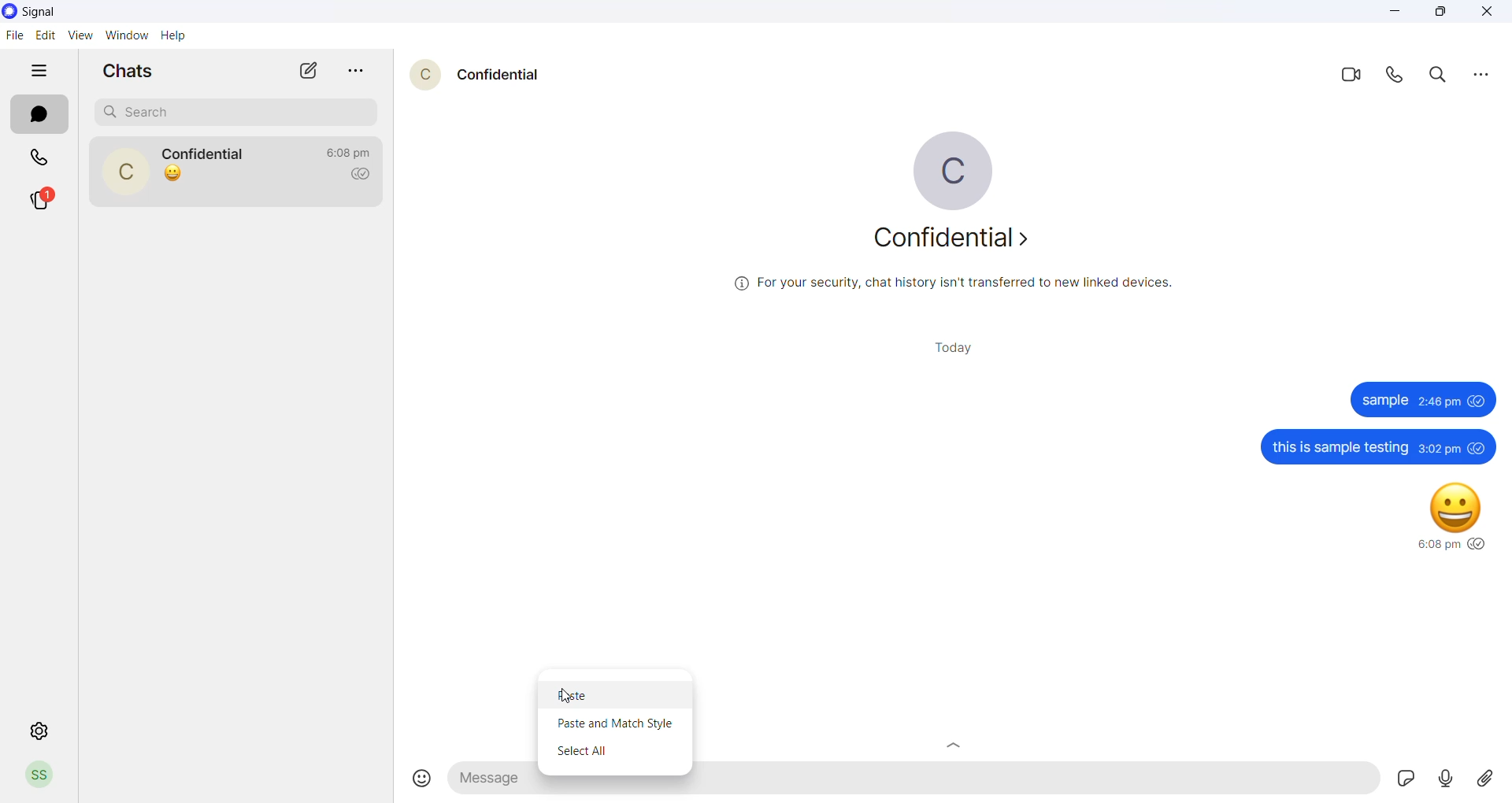 This screenshot has width=1512, height=803. Describe the element at coordinates (506, 75) in the screenshot. I see `contact name` at that location.